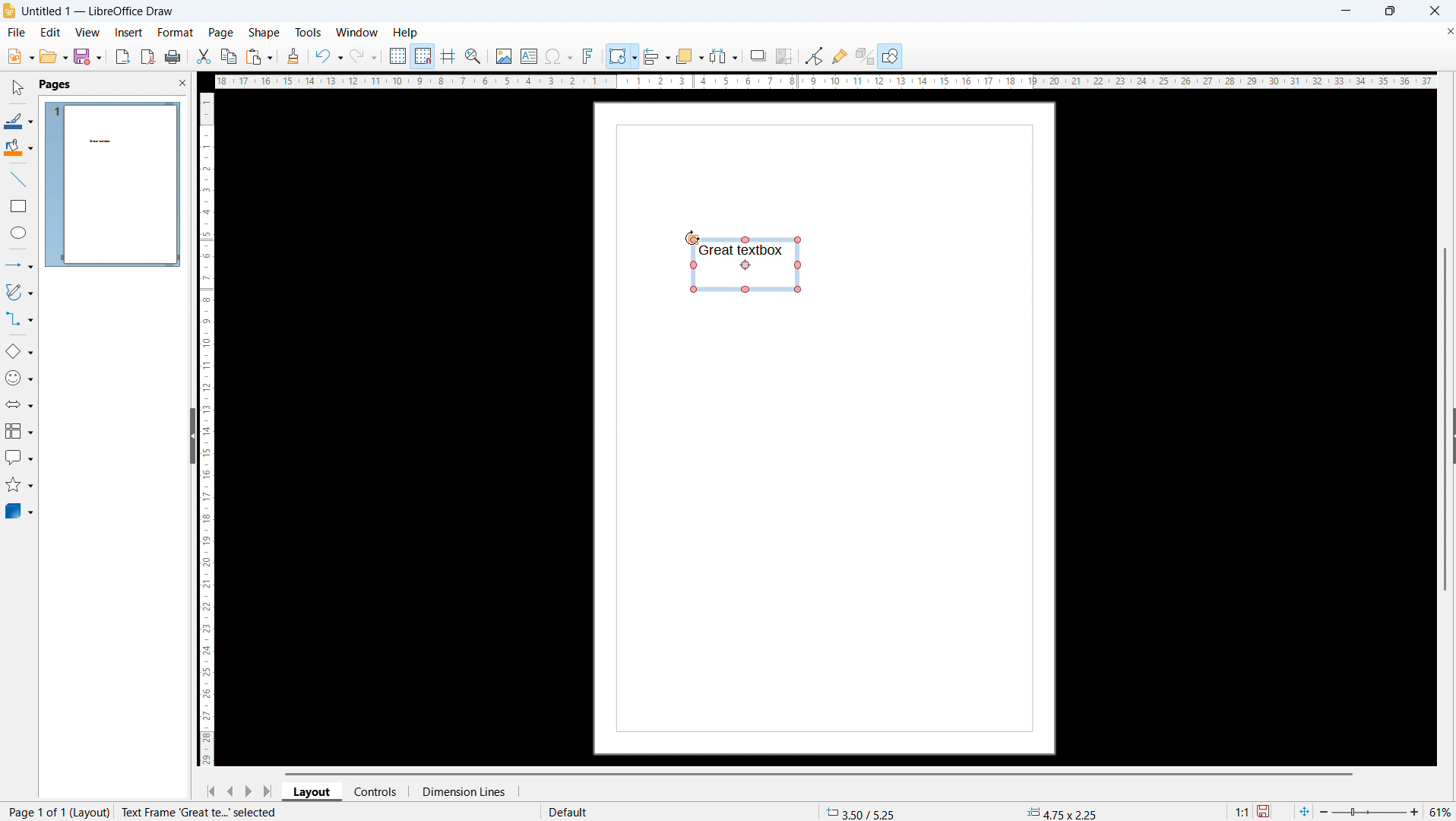 Image resolution: width=1456 pixels, height=821 pixels. Describe the element at coordinates (890, 57) in the screenshot. I see `show draw functions` at that location.